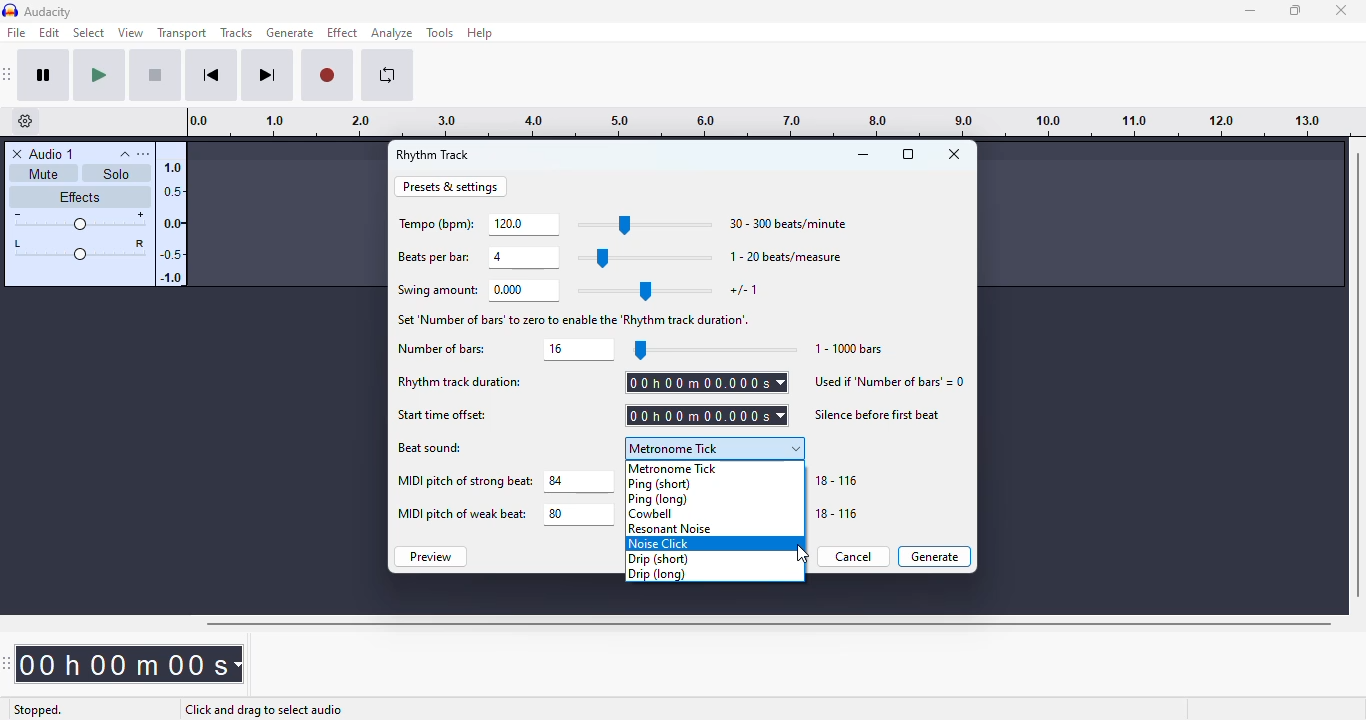 This screenshot has width=1366, height=720. What do you see at coordinates (44, 173) in the screenshot?
I see `mute` at bounding box center [44, 173].